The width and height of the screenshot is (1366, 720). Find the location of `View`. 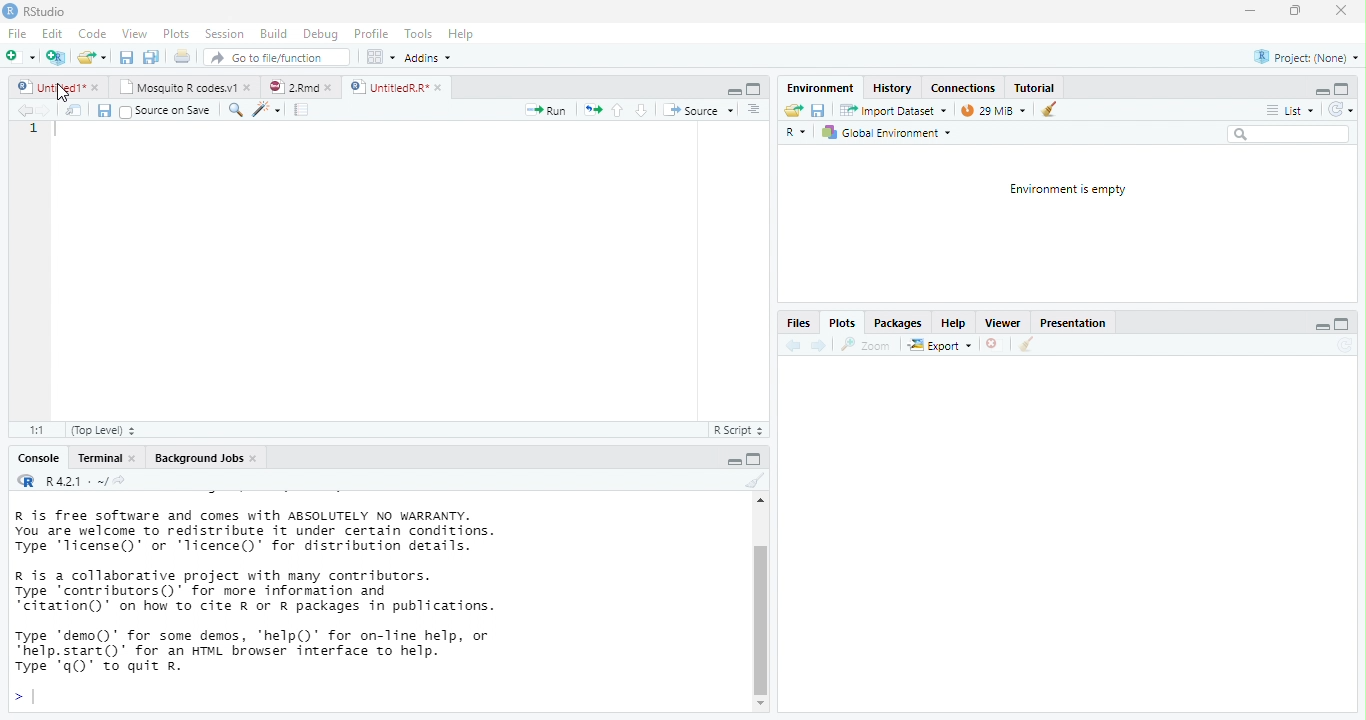

View is located at coordinates (133, 33).